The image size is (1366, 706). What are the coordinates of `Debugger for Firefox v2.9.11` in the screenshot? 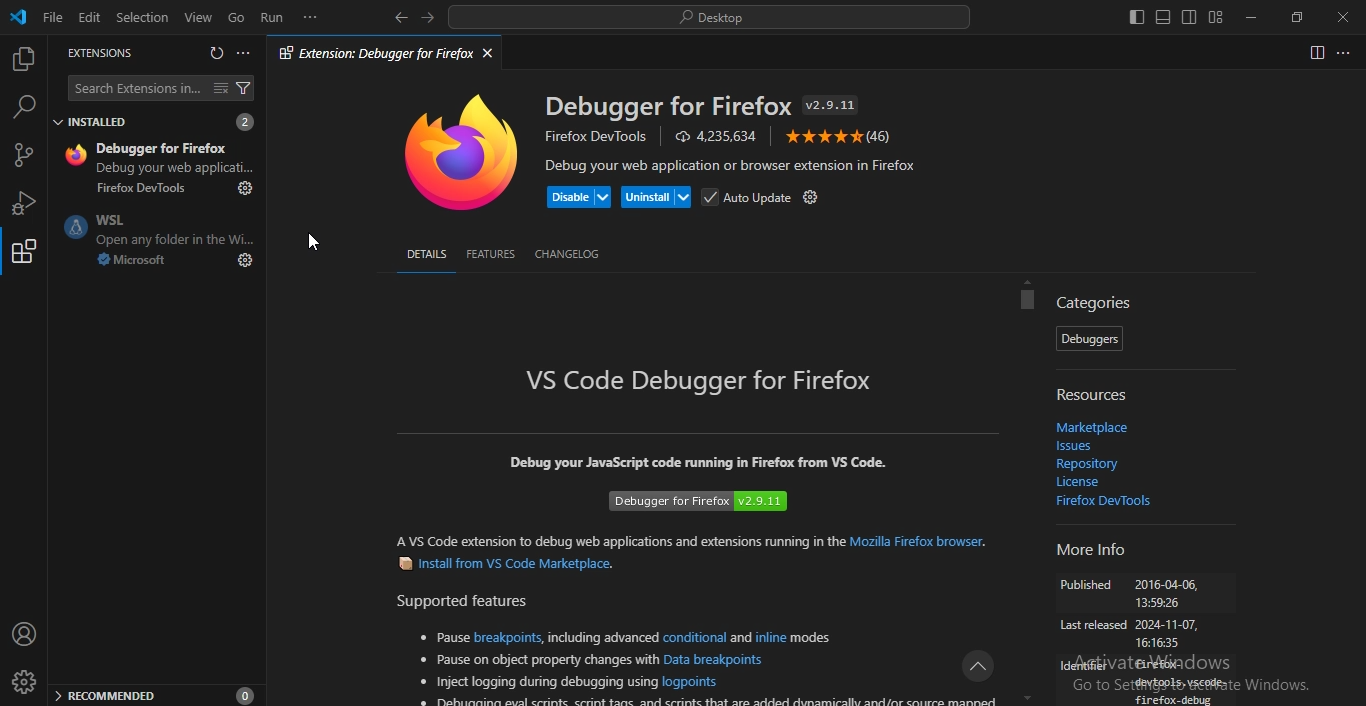 It's located at (701, 501).